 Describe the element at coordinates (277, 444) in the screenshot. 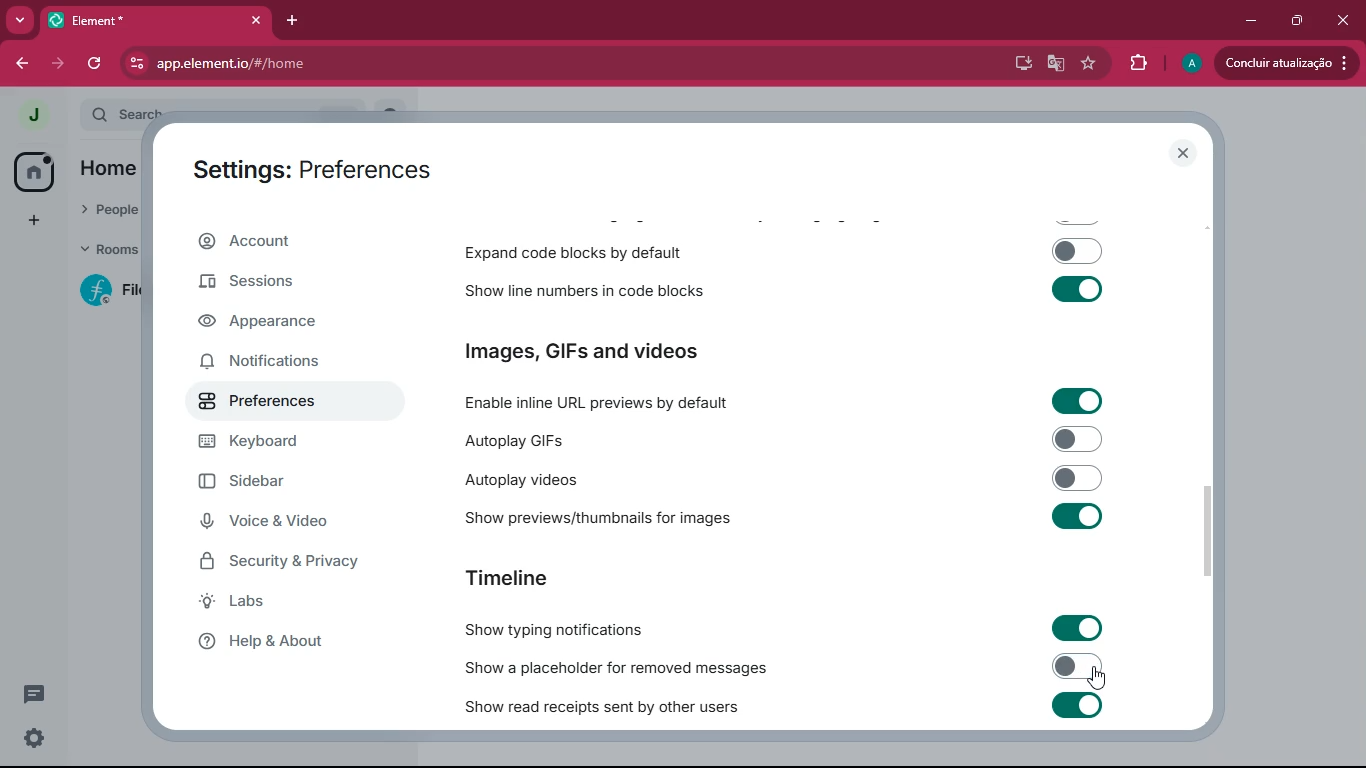

I see `keyboard` at that location.